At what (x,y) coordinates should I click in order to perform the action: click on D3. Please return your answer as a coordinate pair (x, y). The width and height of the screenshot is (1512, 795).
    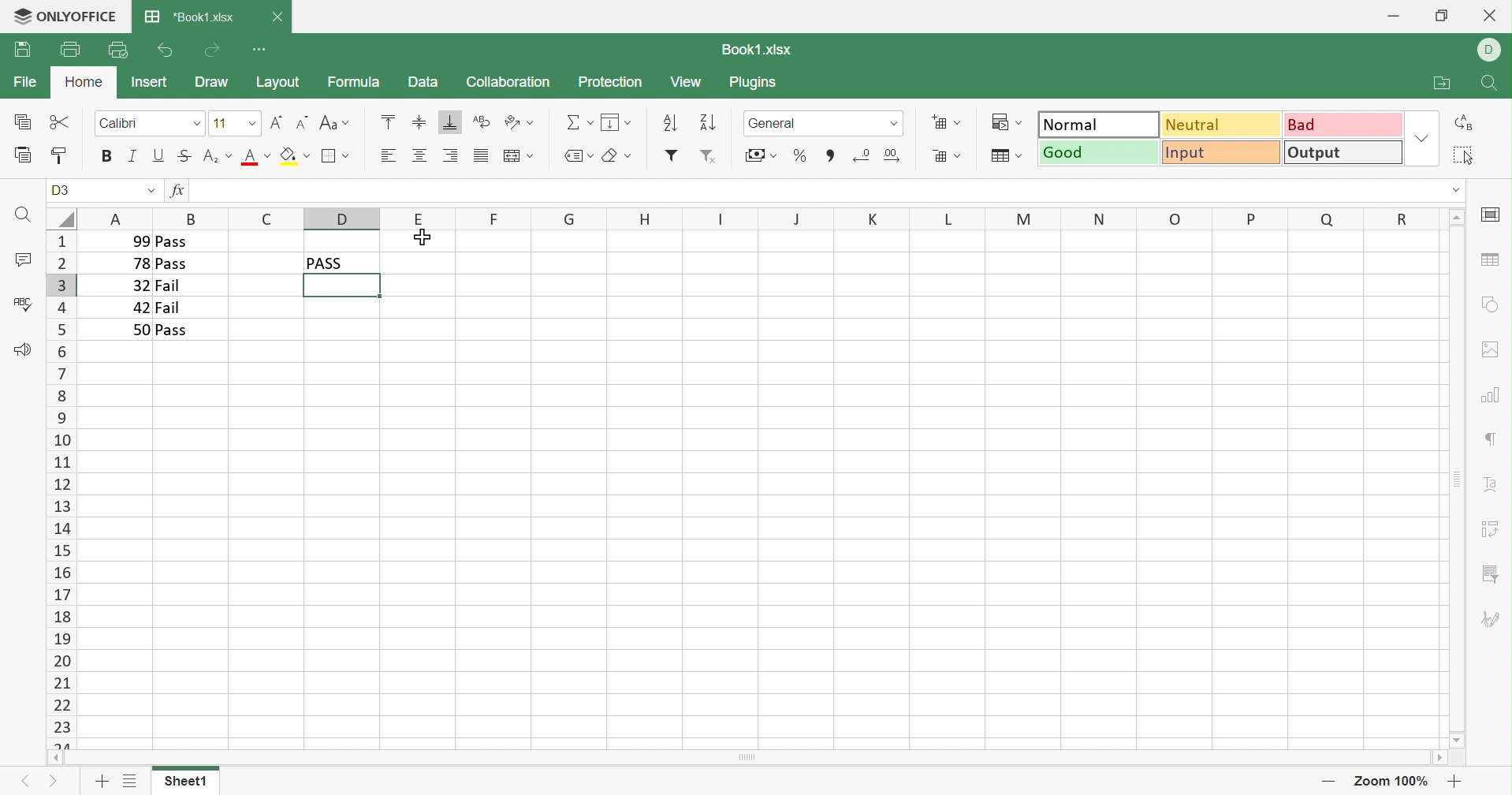
    Looking at the image, I should click on (61, 188).